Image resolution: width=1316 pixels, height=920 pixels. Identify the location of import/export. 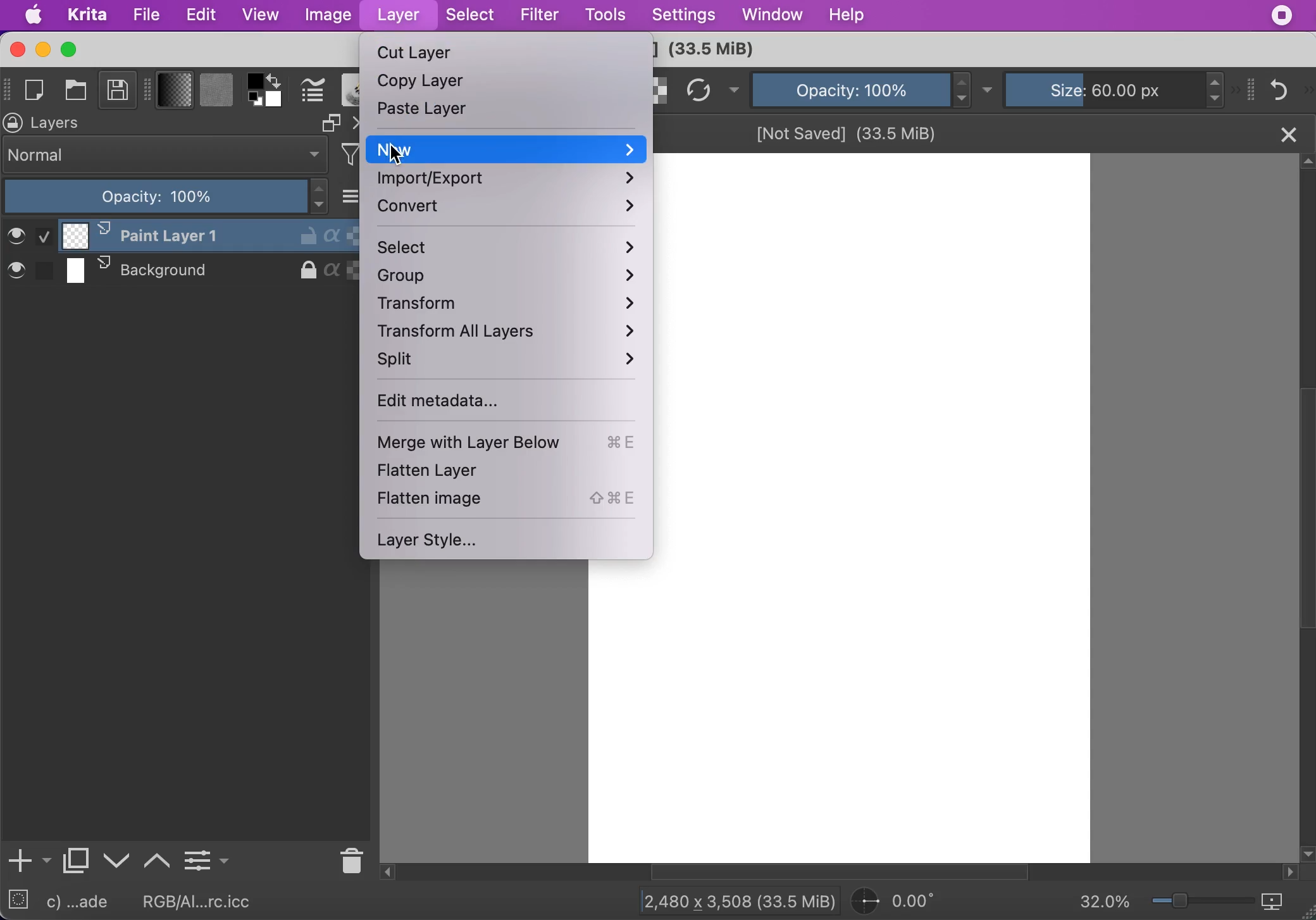
(508, 180).